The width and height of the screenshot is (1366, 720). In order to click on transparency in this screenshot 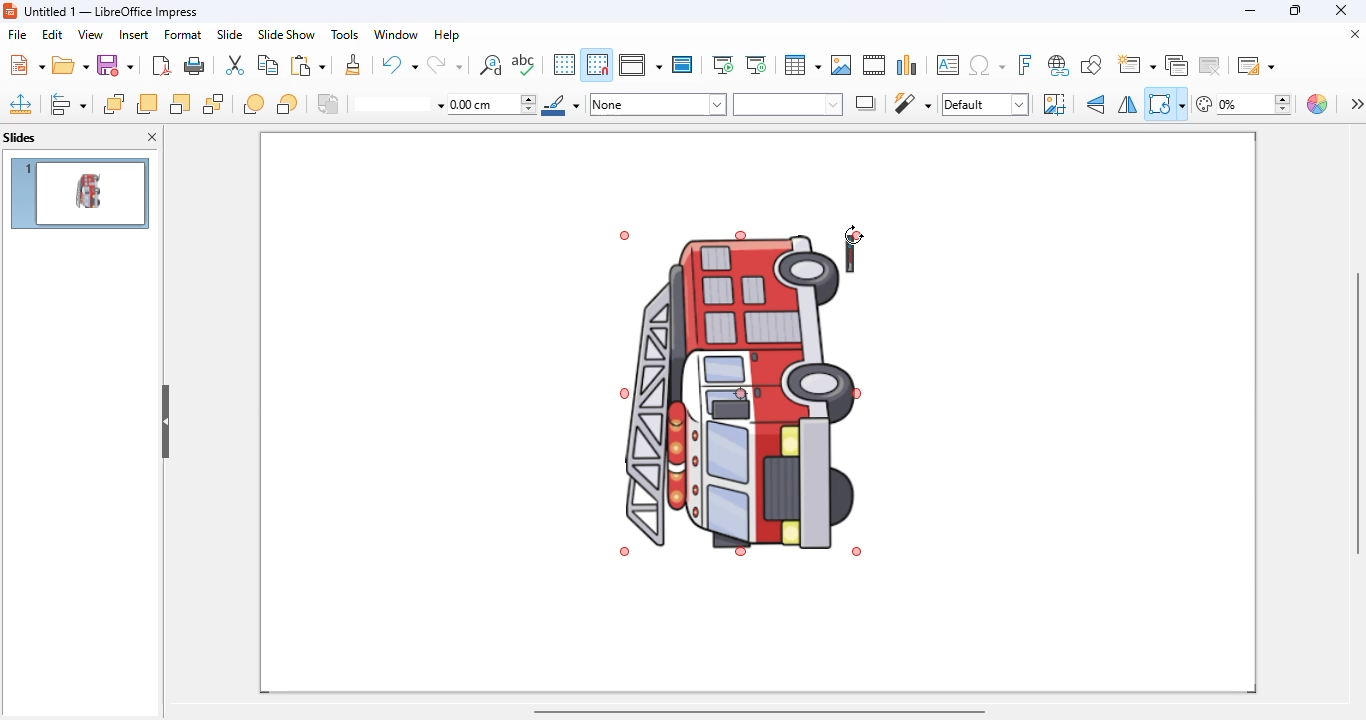, I will do `click(1244, 104)`.